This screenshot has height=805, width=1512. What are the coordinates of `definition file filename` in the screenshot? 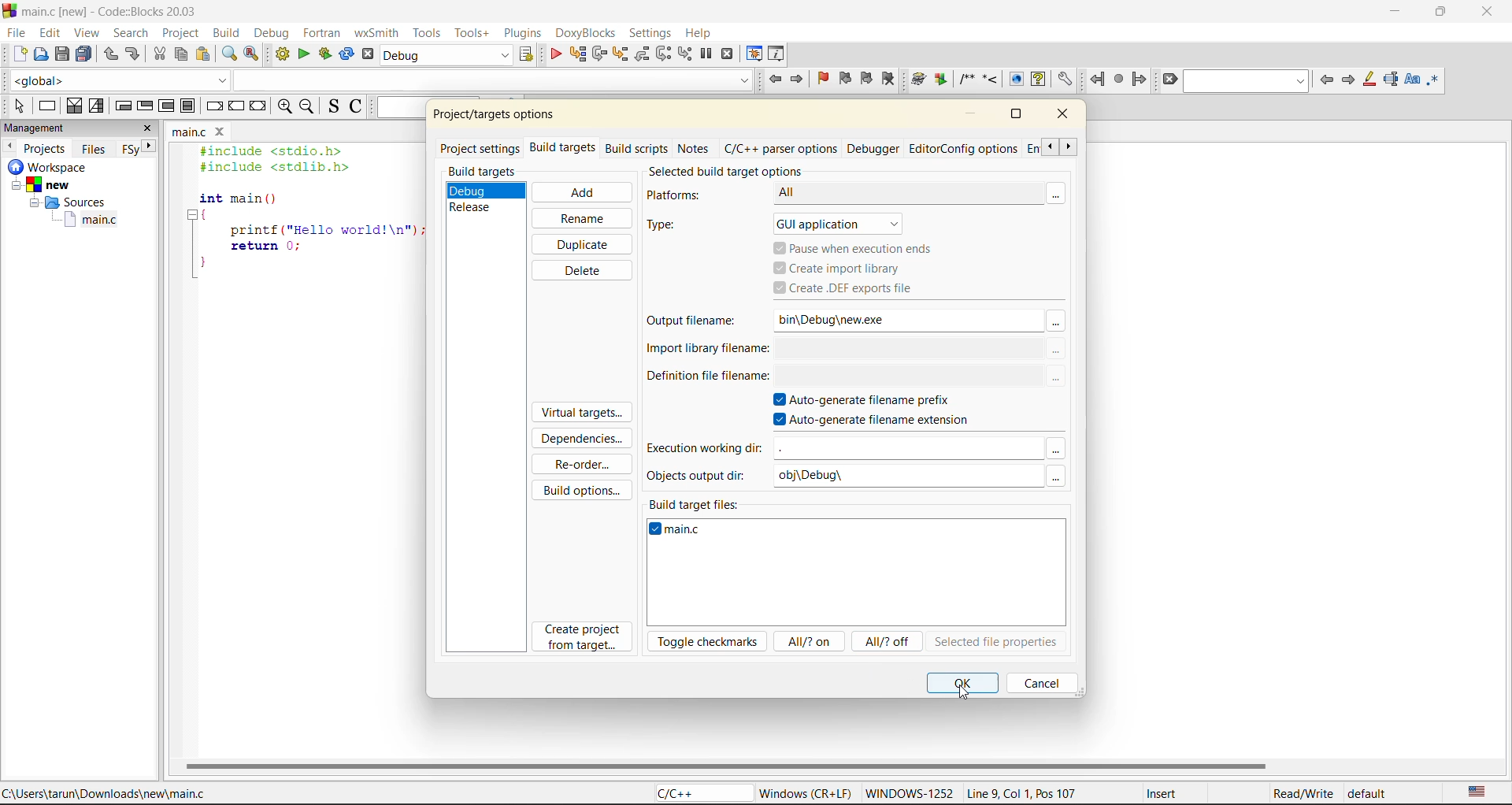 It's located at (709, 374).